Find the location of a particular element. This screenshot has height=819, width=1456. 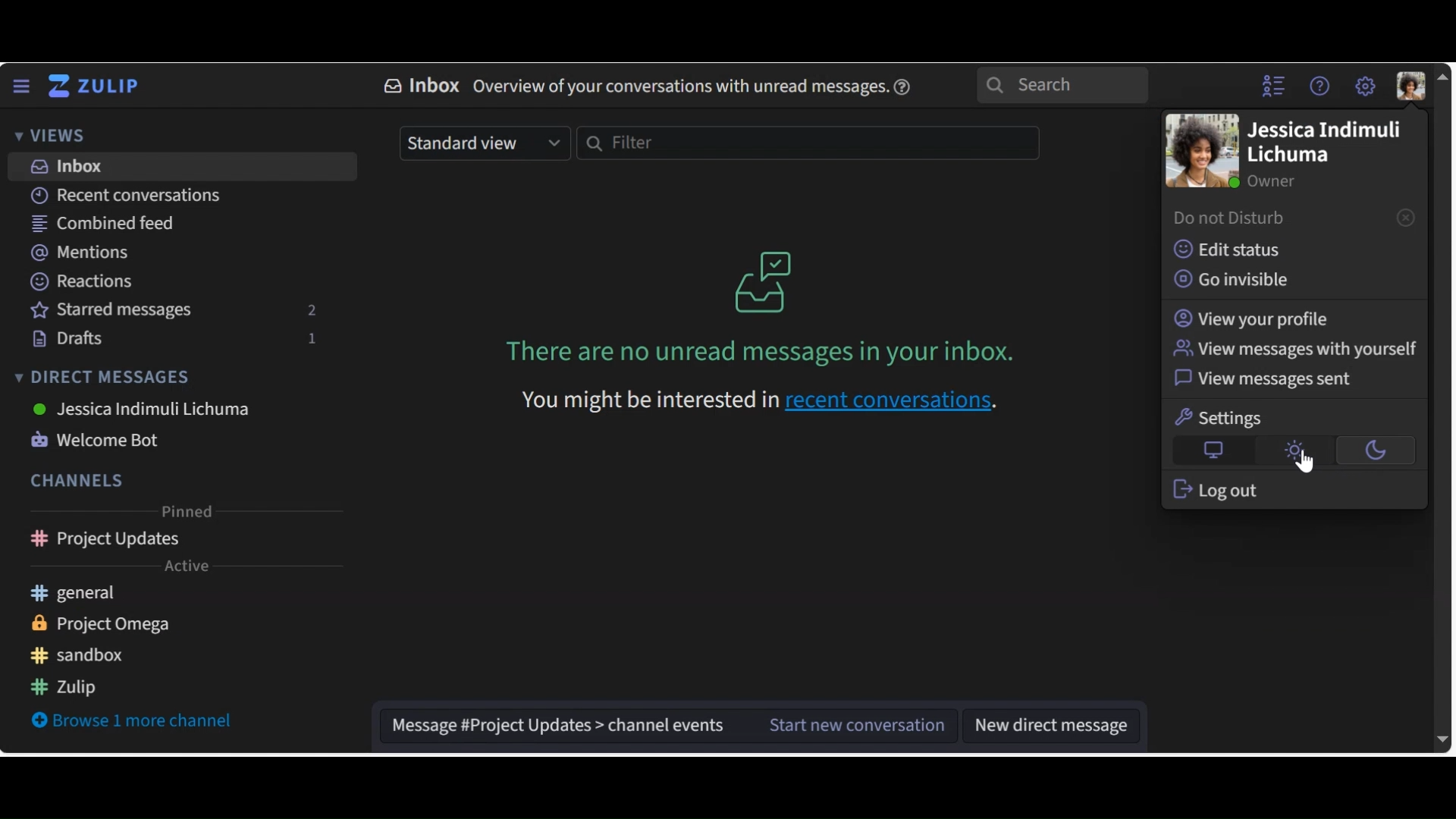

Dark theme is located at coordinates (1372, 451).